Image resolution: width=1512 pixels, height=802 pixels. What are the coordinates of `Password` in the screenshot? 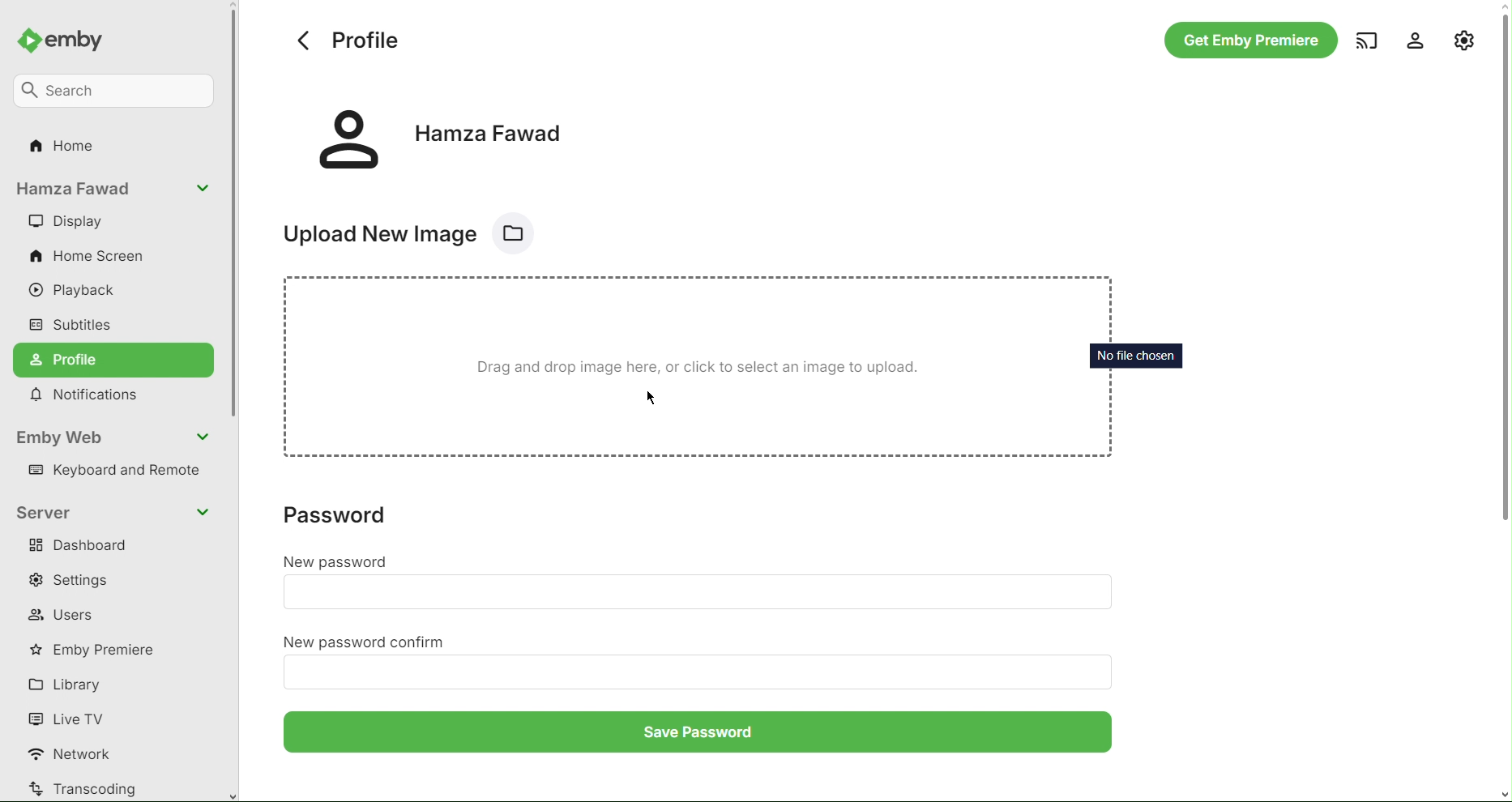 It's located at (344, 515).